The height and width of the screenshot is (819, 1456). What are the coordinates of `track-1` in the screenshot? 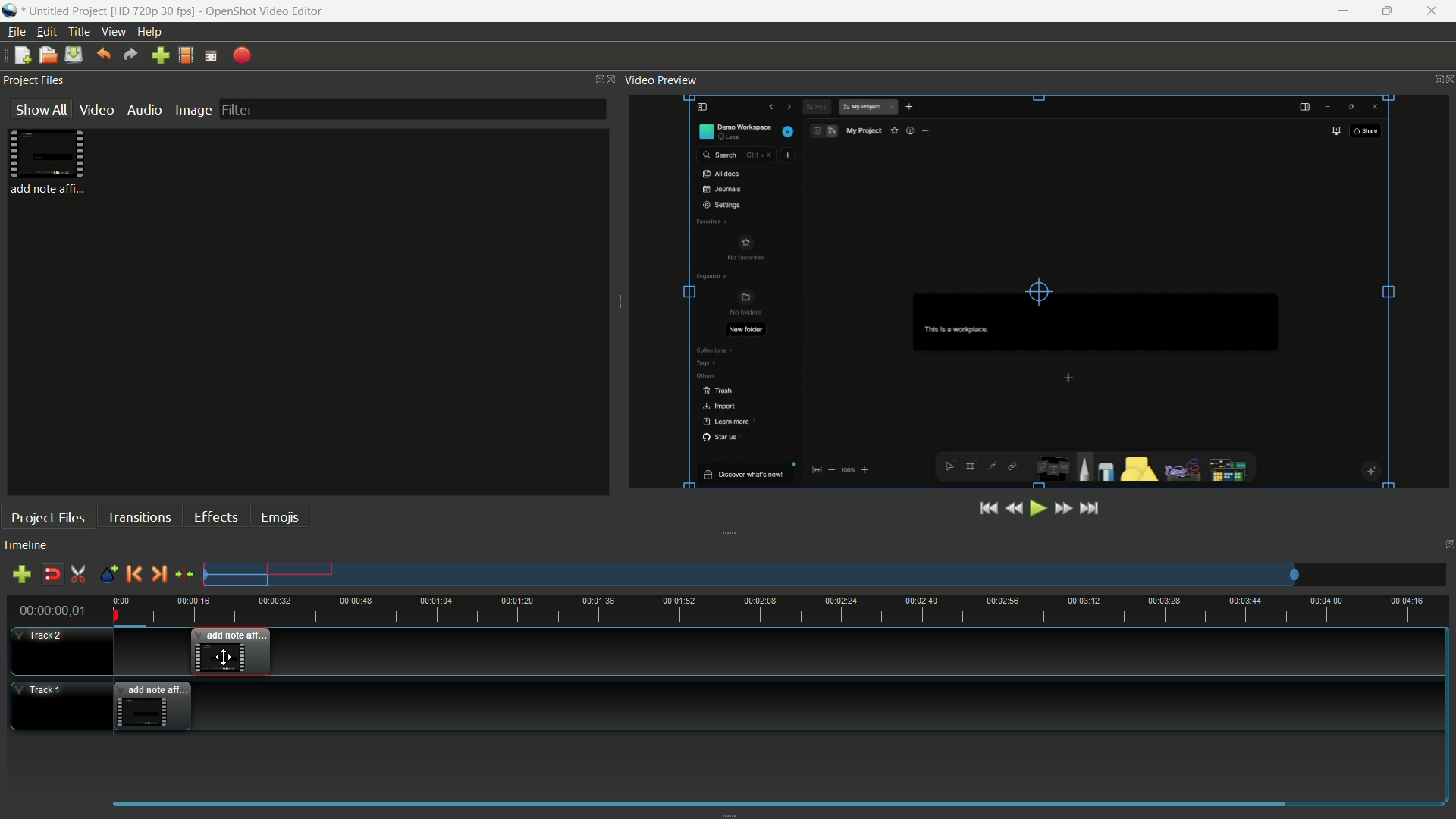 It's located at (55, 706).